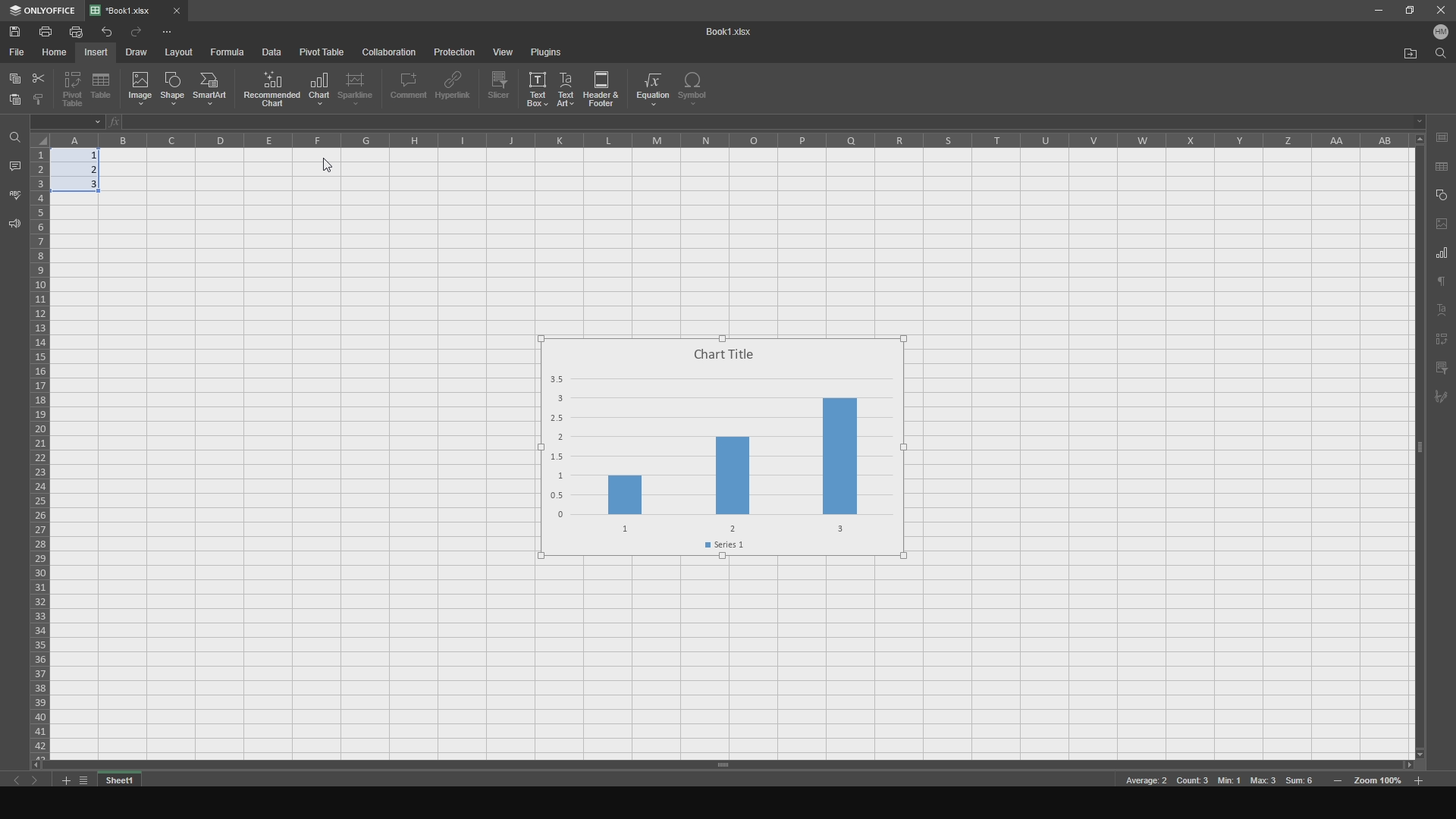 Image resolution: width=1456 pixels, height=819 pixels. Describe the element at coordinates (1379, 783) in the screenshot. I see `zoom` at that location.